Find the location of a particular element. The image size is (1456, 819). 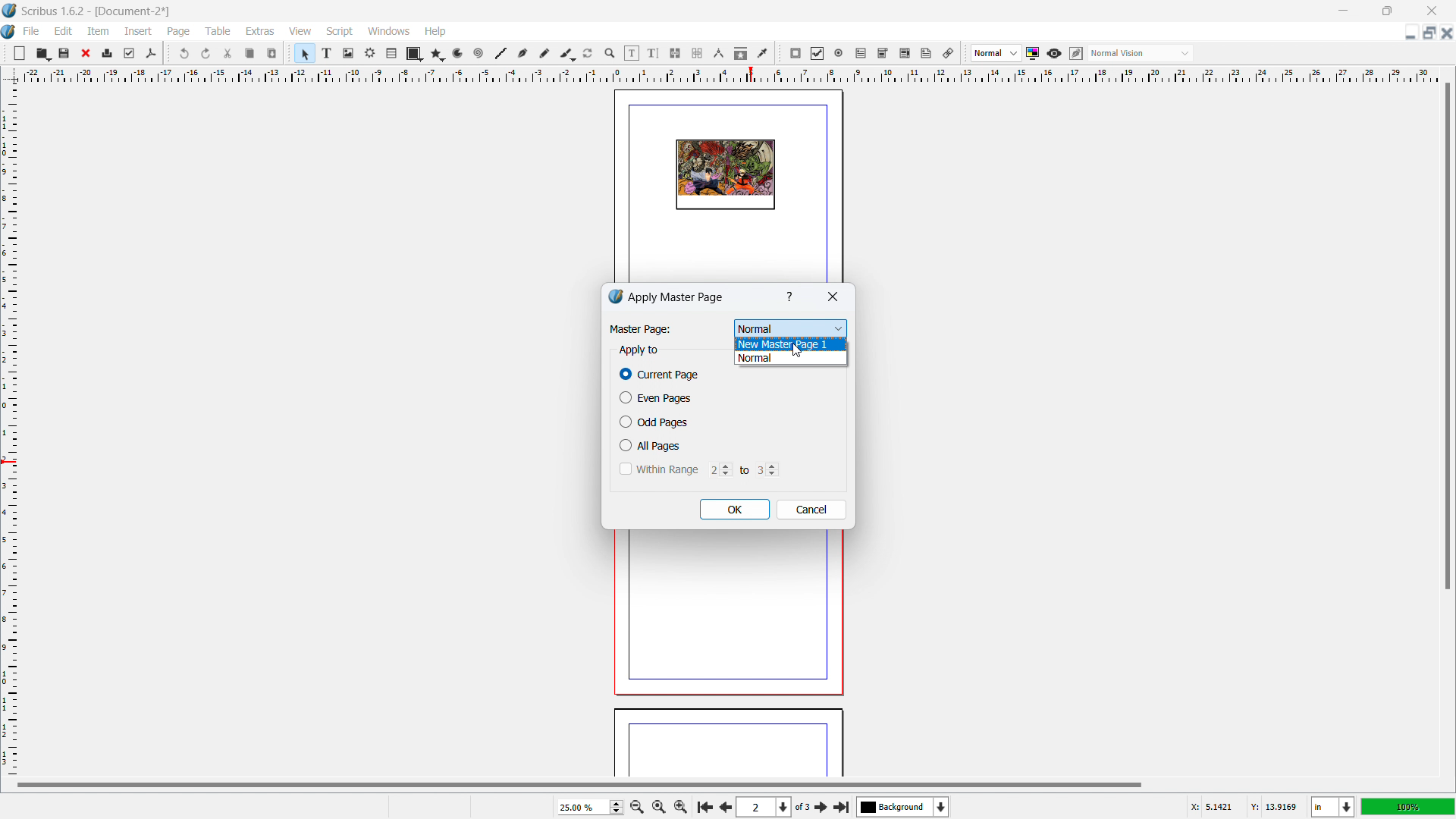

save is located at coordinates (65, 52).